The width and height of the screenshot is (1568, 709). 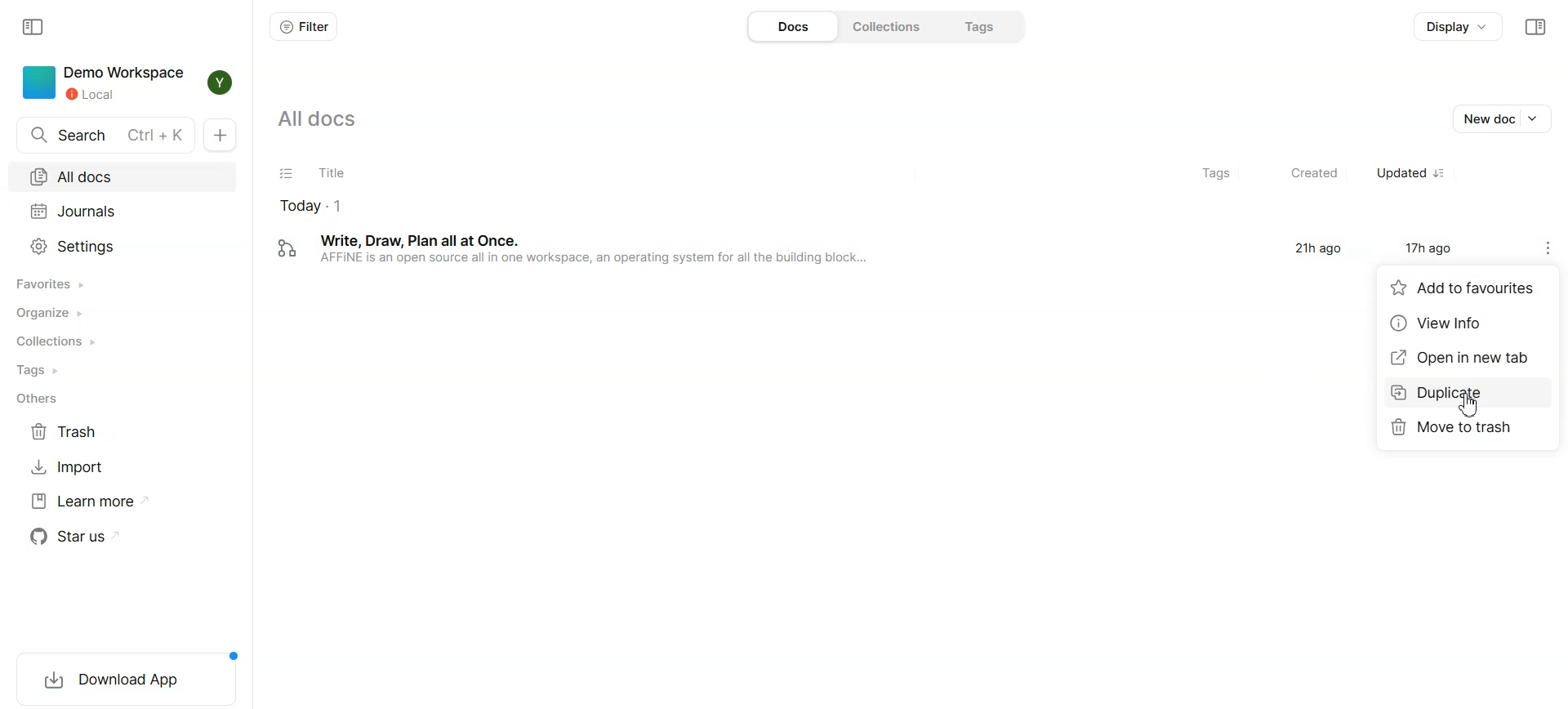 What do you see at coordinates (1485, 118) in the screenshot?
I see `New doc` at bounding box center [1485, 118].